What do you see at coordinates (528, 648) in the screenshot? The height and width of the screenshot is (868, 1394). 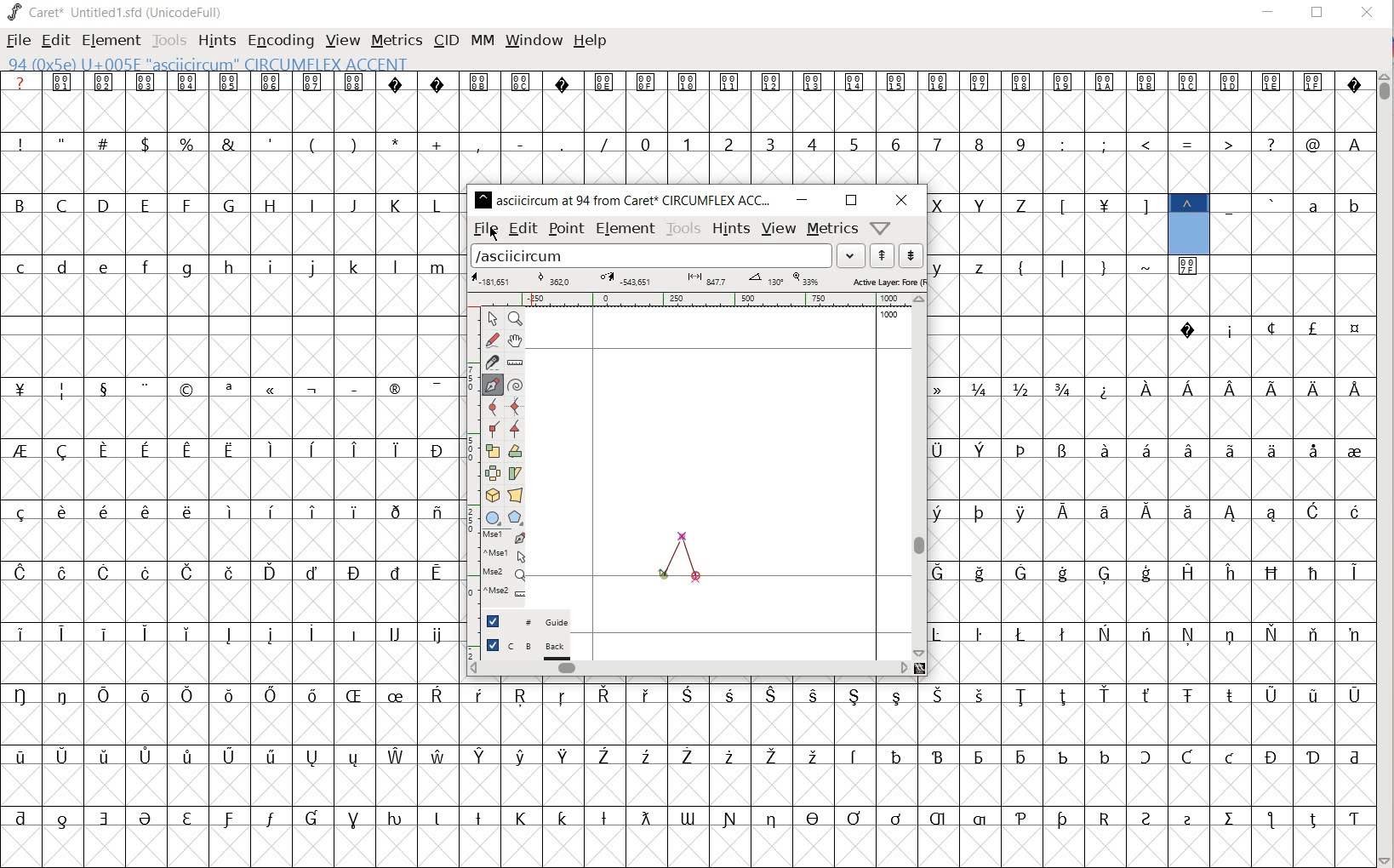 I see `background` at bounding box center [528, 648].